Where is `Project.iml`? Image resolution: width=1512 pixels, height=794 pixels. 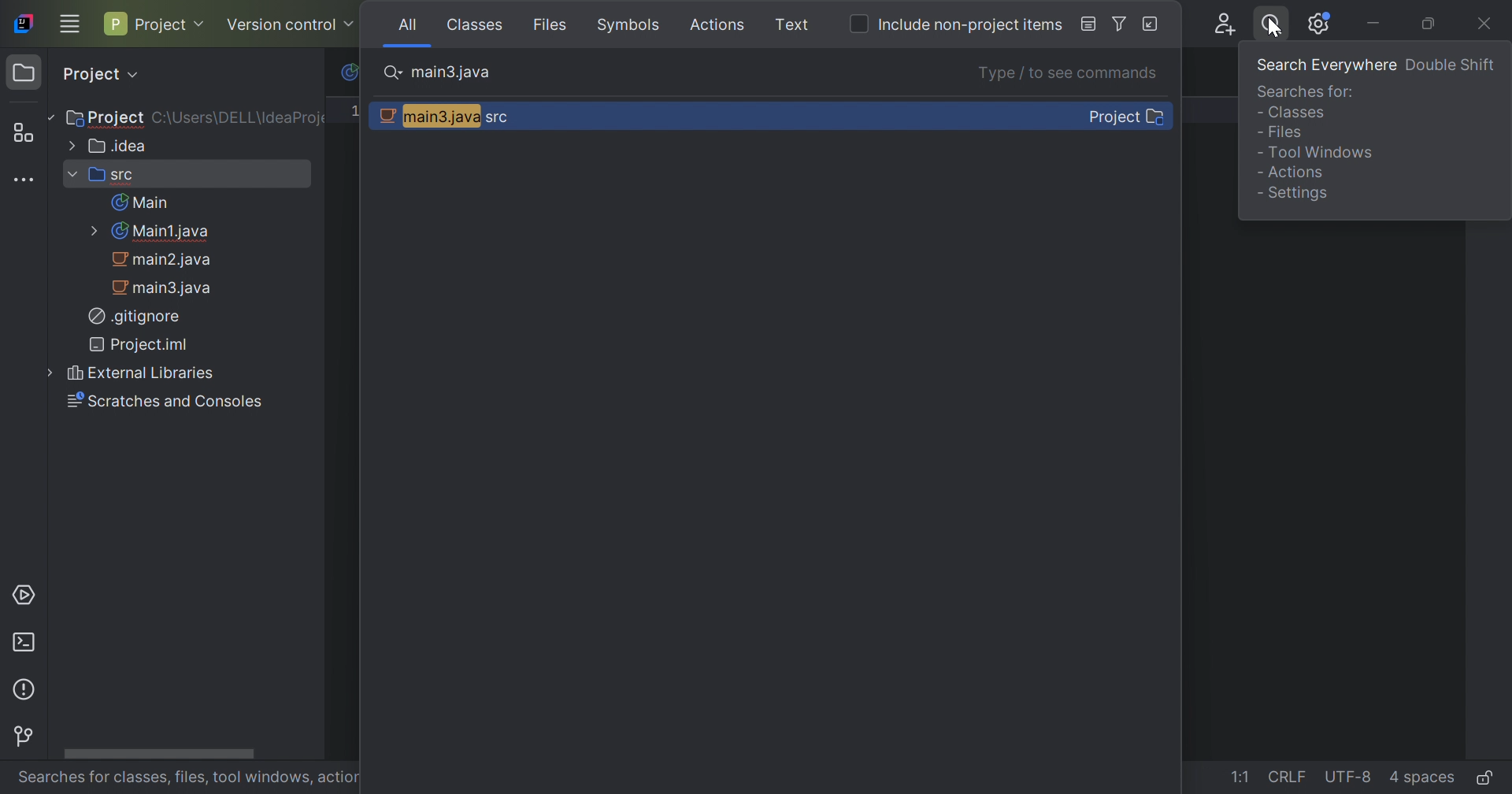 Project.iml is located at coordinates (143, 343).